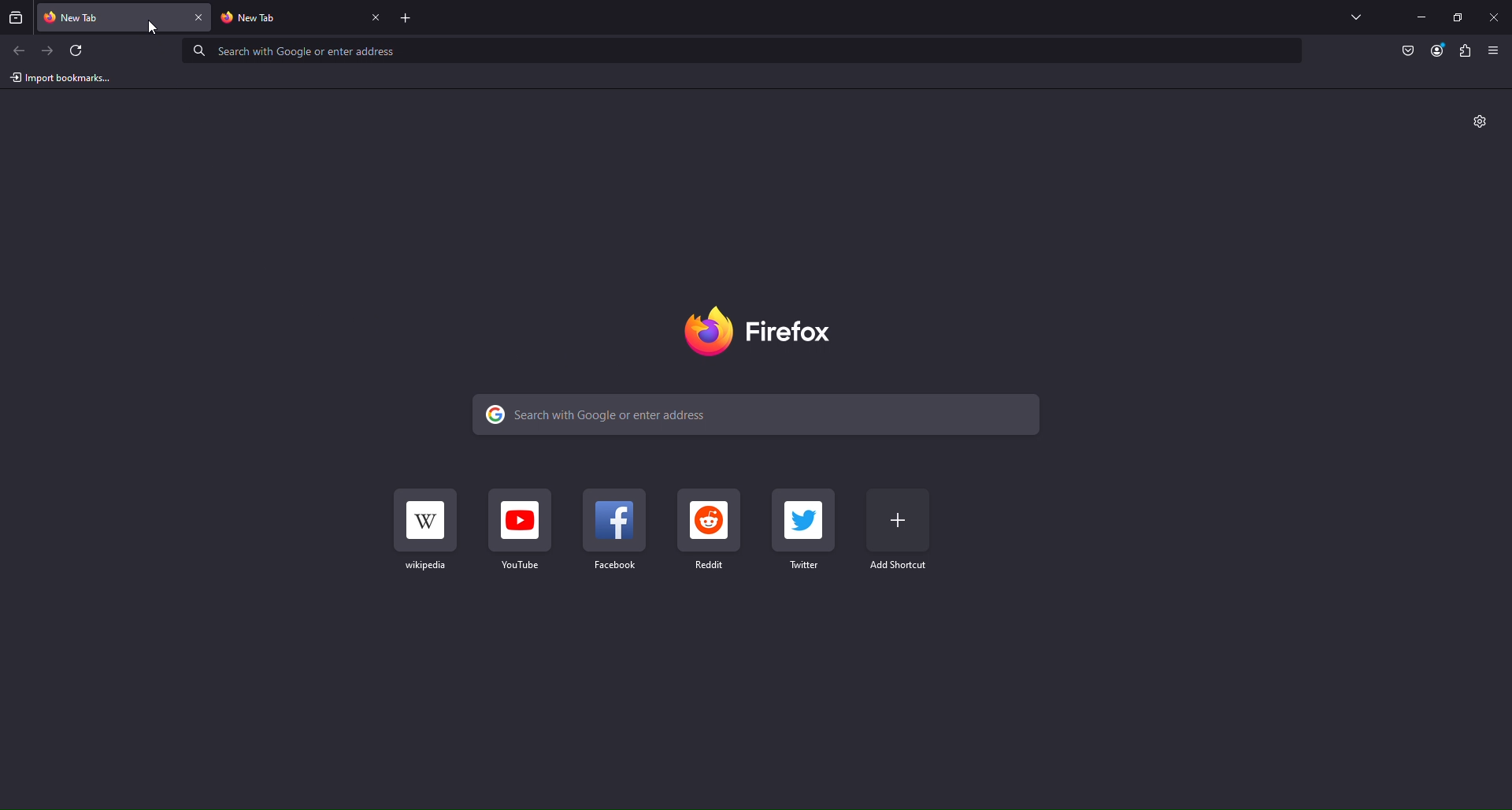 The height and width of the screenshot is (810, 1512). What do you see at coordinates (743, 51) in the screenshot?
I see `Address Bar` at bounding box center [743, 51].